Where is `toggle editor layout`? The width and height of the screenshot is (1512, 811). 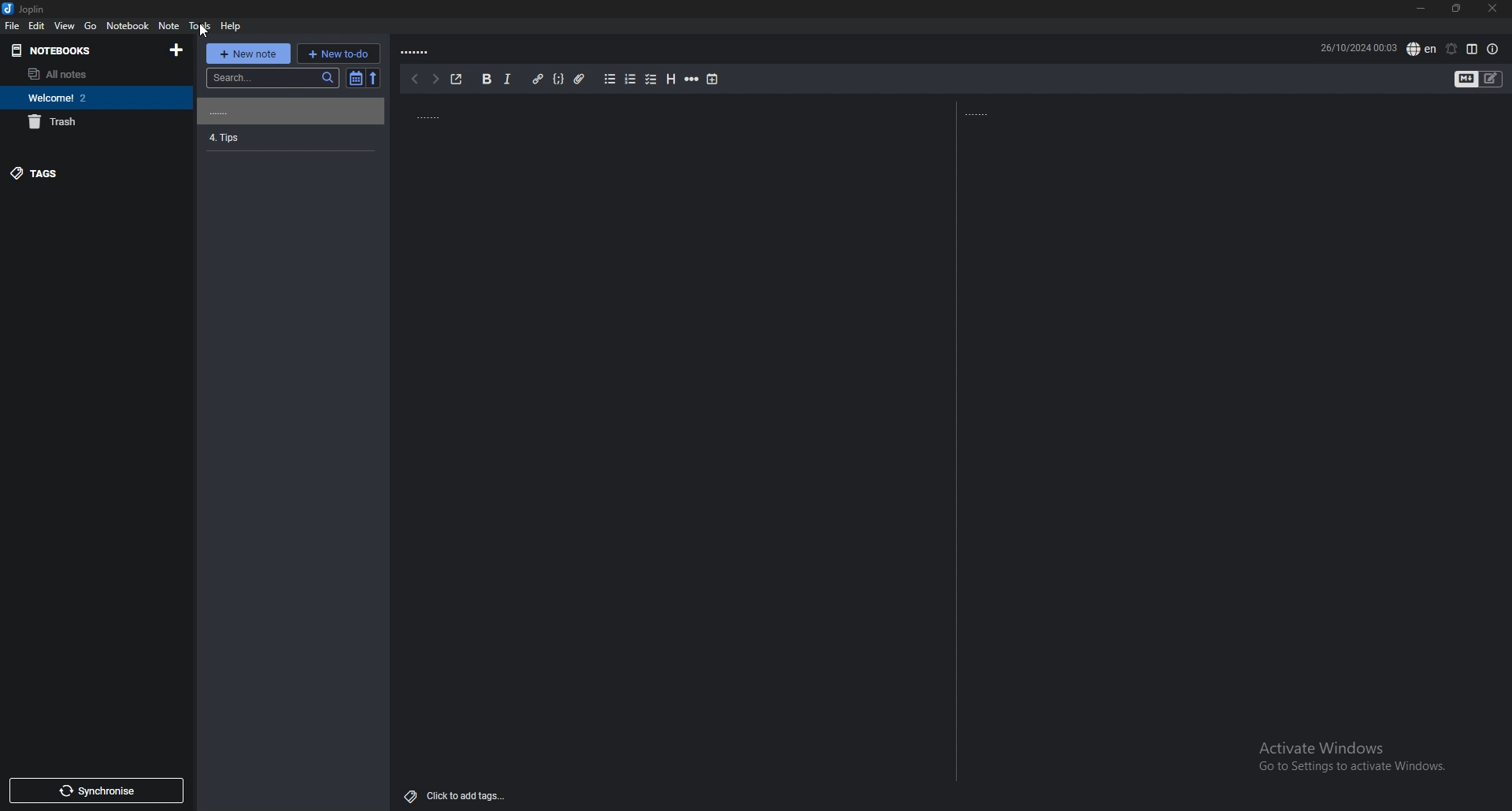
toggle editor layout is located at coordinates (1473, 49).